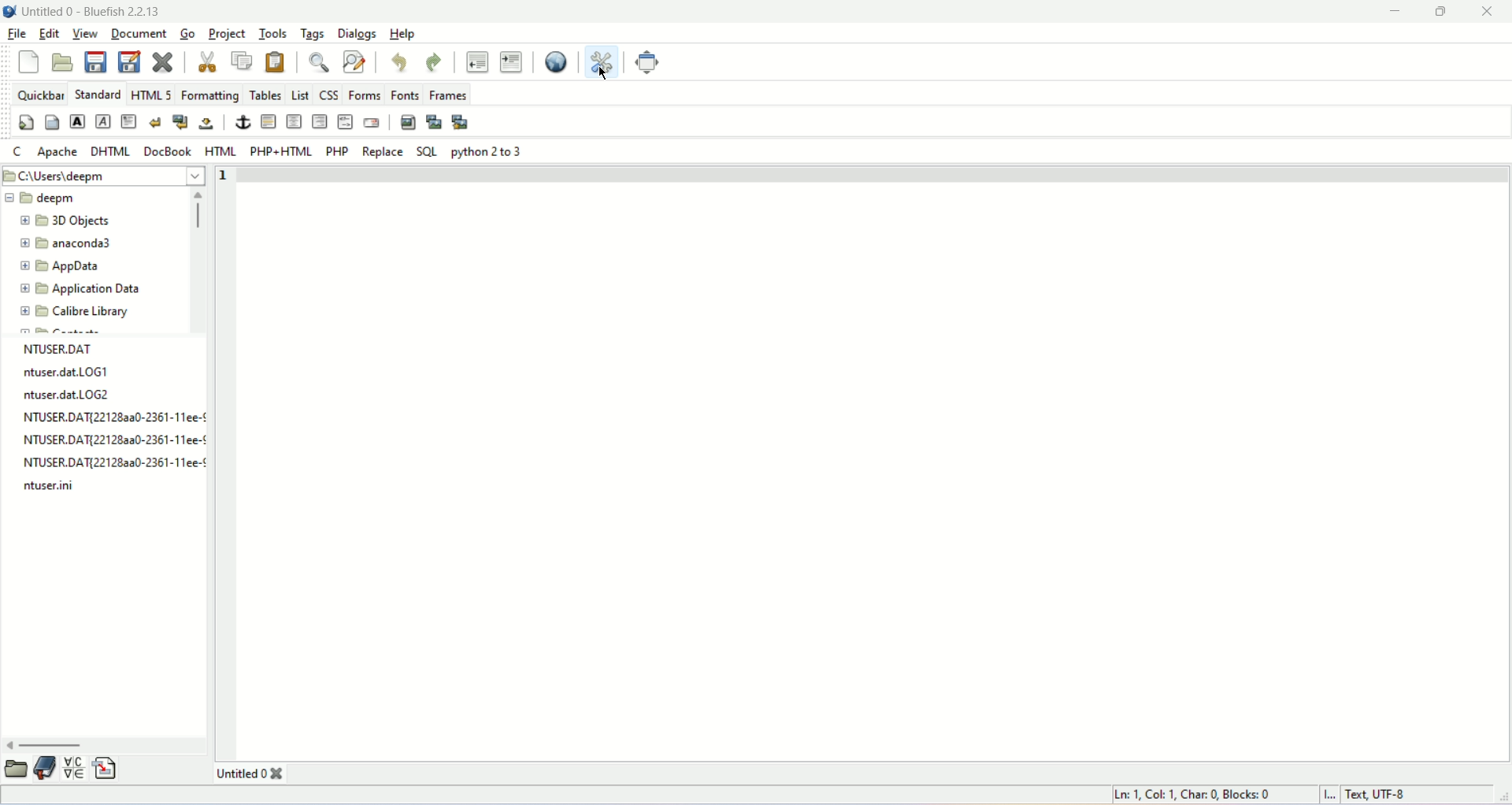 This screenshot has height=805, width=1512. What do you see at coordinates (64, 178) in the screenshot?
I see ` C\Users\deepm` at bounding box center [64, 178].